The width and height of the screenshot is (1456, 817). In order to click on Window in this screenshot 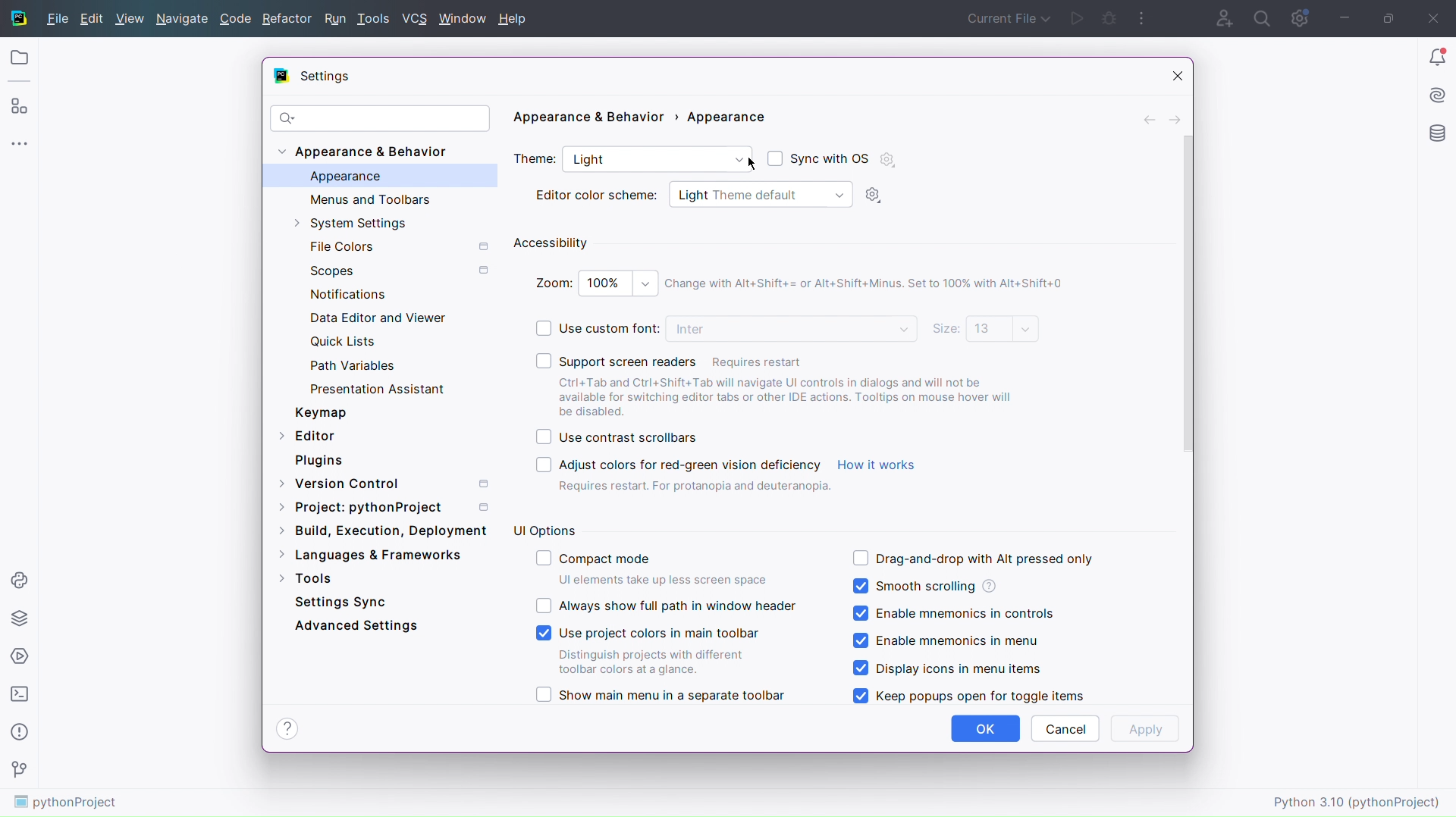, I will do `click(464, 17)`.